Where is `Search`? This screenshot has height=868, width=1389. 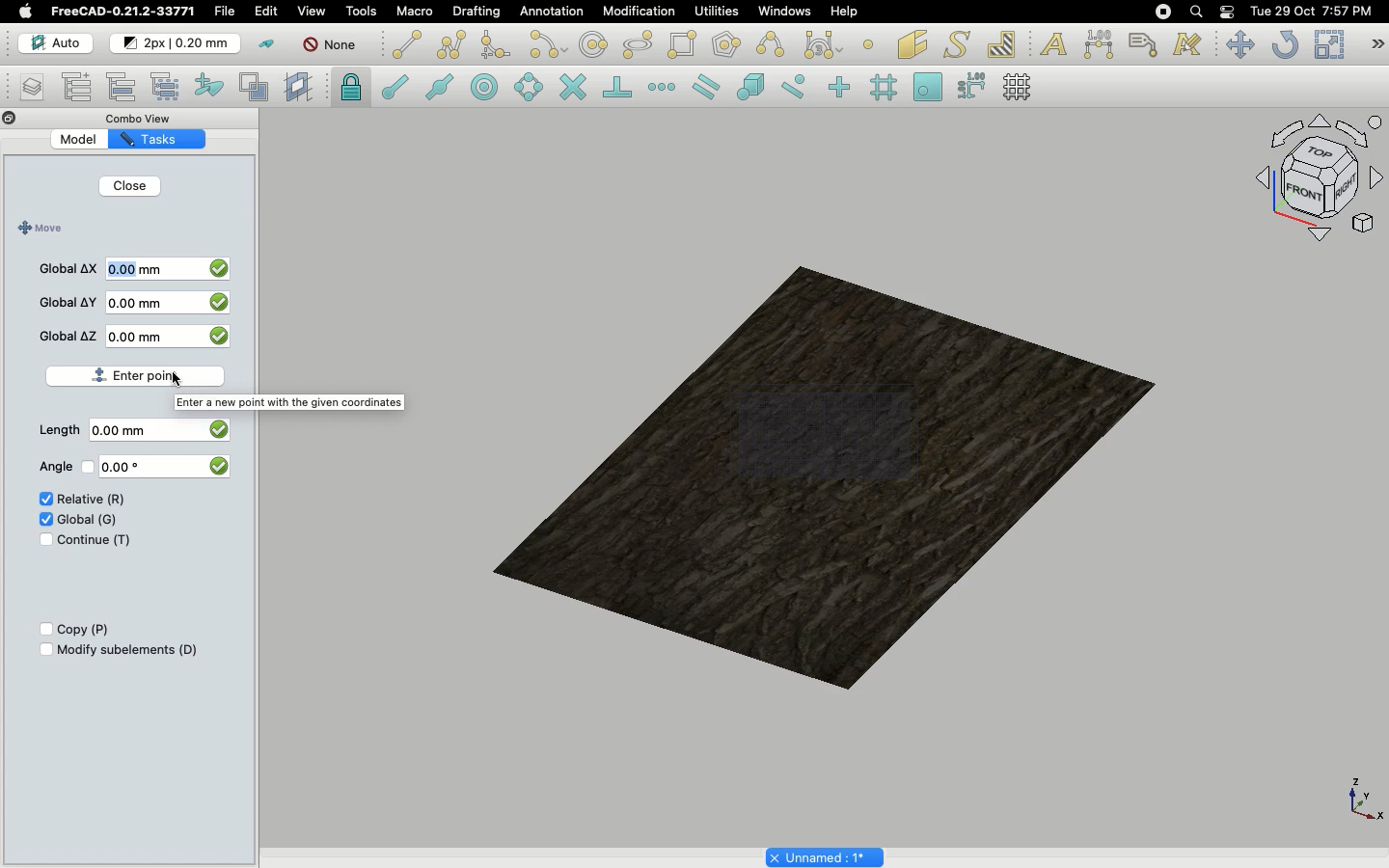 Search is located at coordinates (1195, 12).